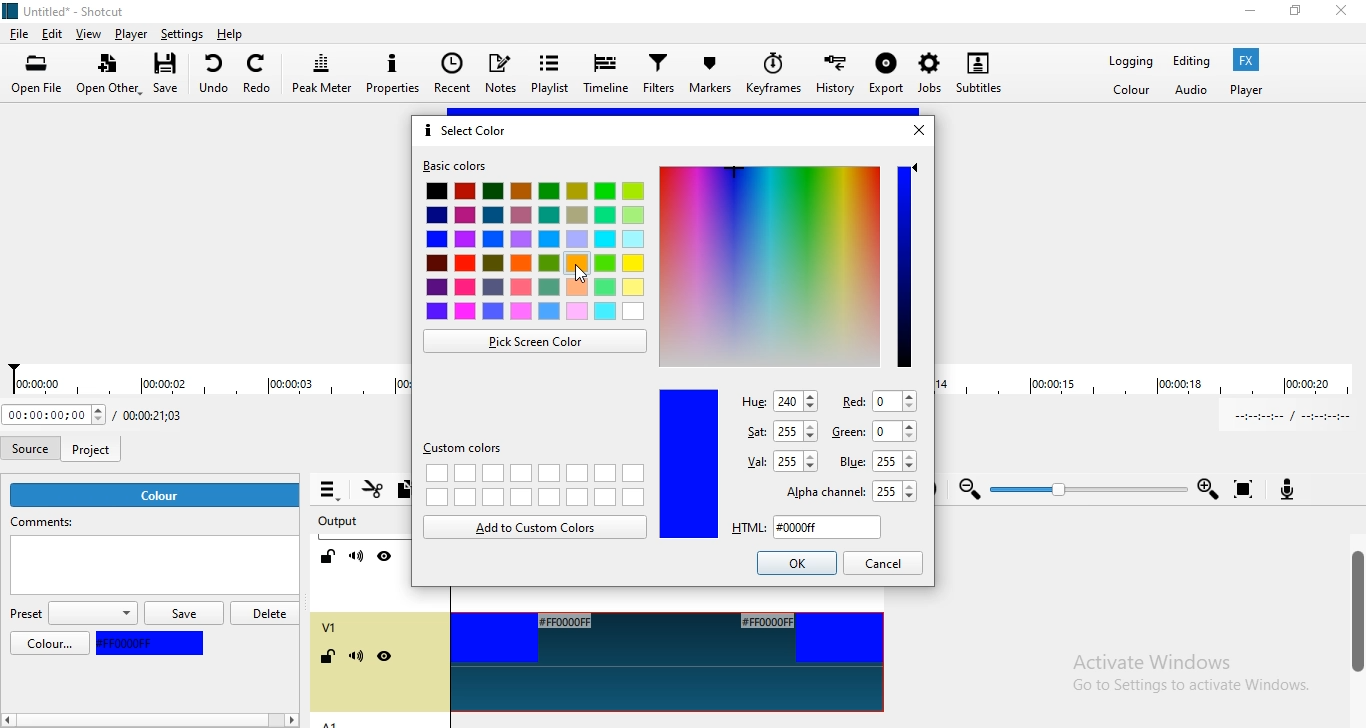 This screenshot has height=728, width=1366. Describe the element at coordinates (1246, 90) in the screenshot. I see `player` at that location.